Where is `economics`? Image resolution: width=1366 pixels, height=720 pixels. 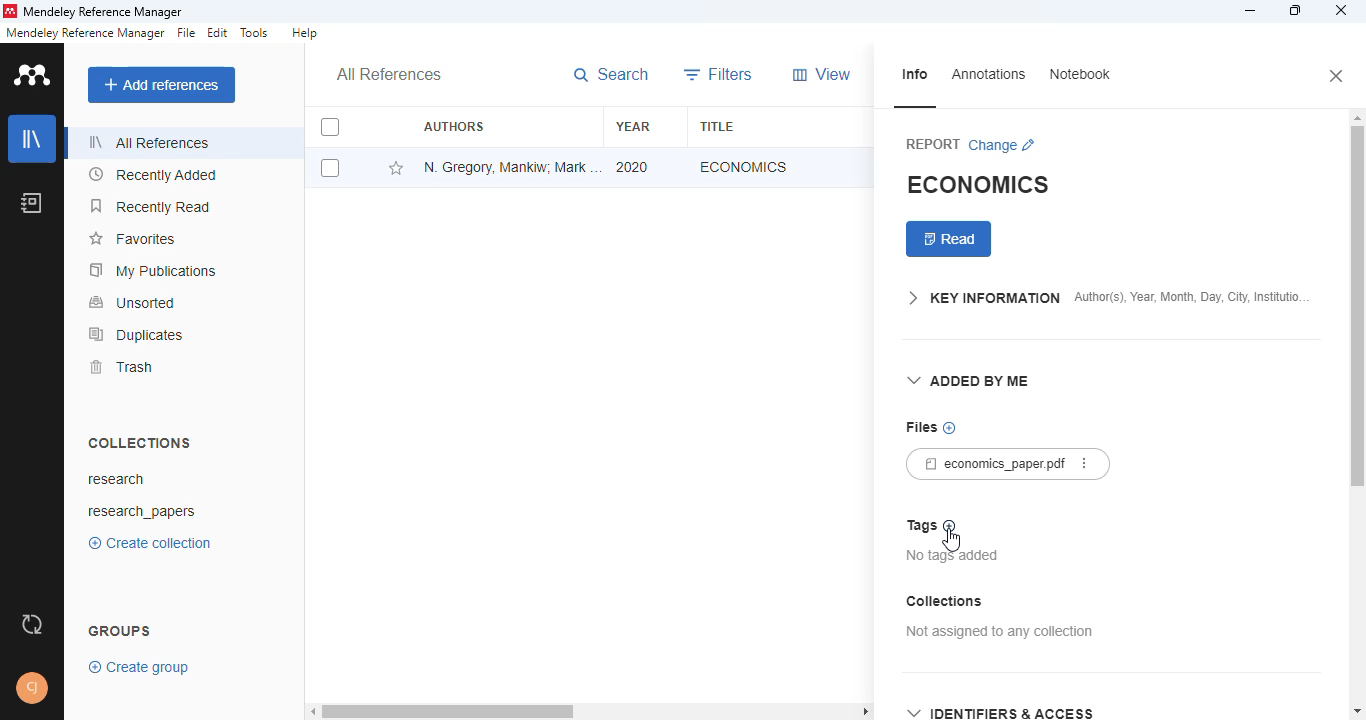 economics is located at coordinates (980, 183).